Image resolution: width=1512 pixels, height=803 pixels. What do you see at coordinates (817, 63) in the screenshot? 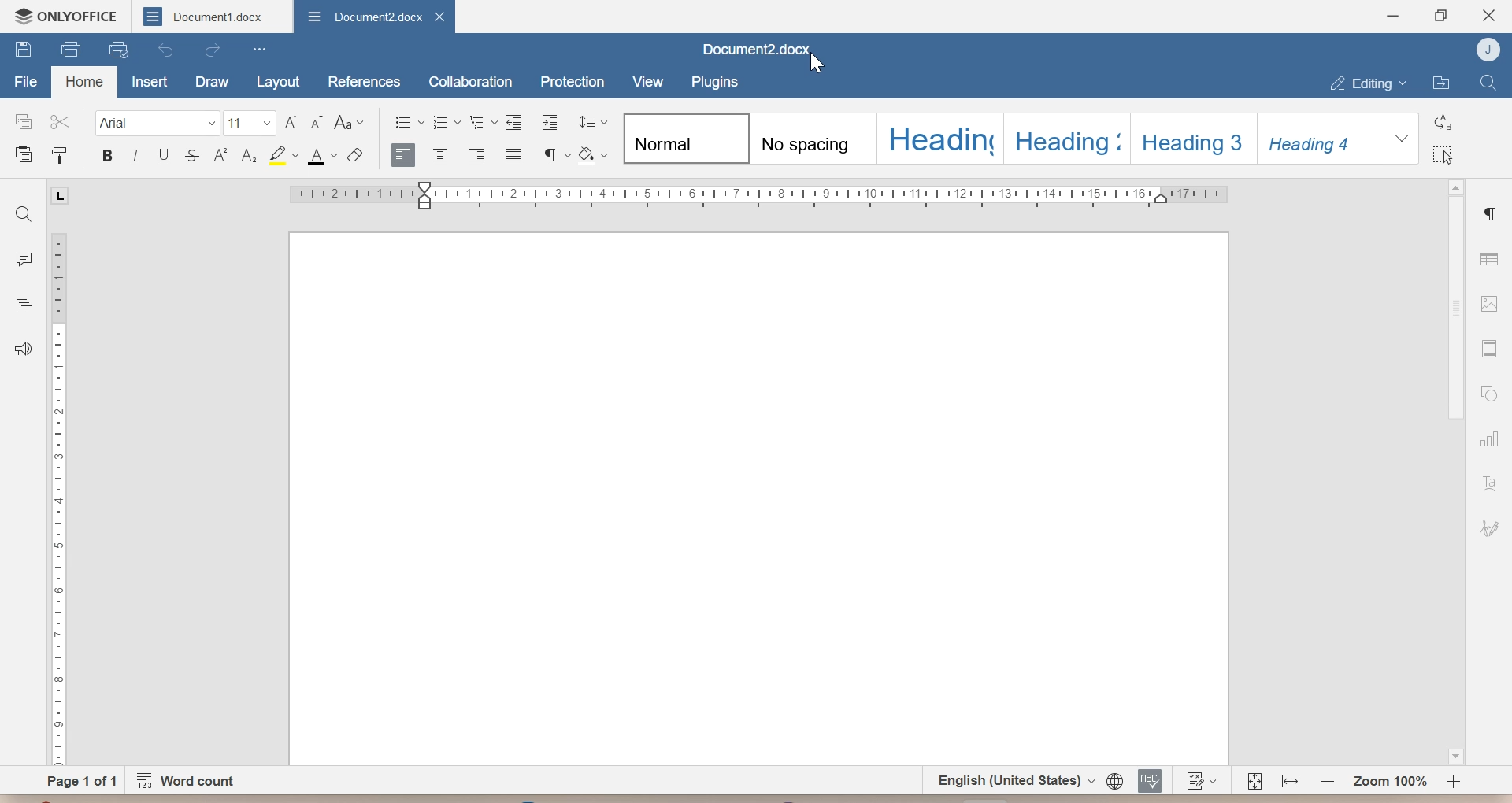
I see `Cursor on file name` at bounding box center [817, 63].